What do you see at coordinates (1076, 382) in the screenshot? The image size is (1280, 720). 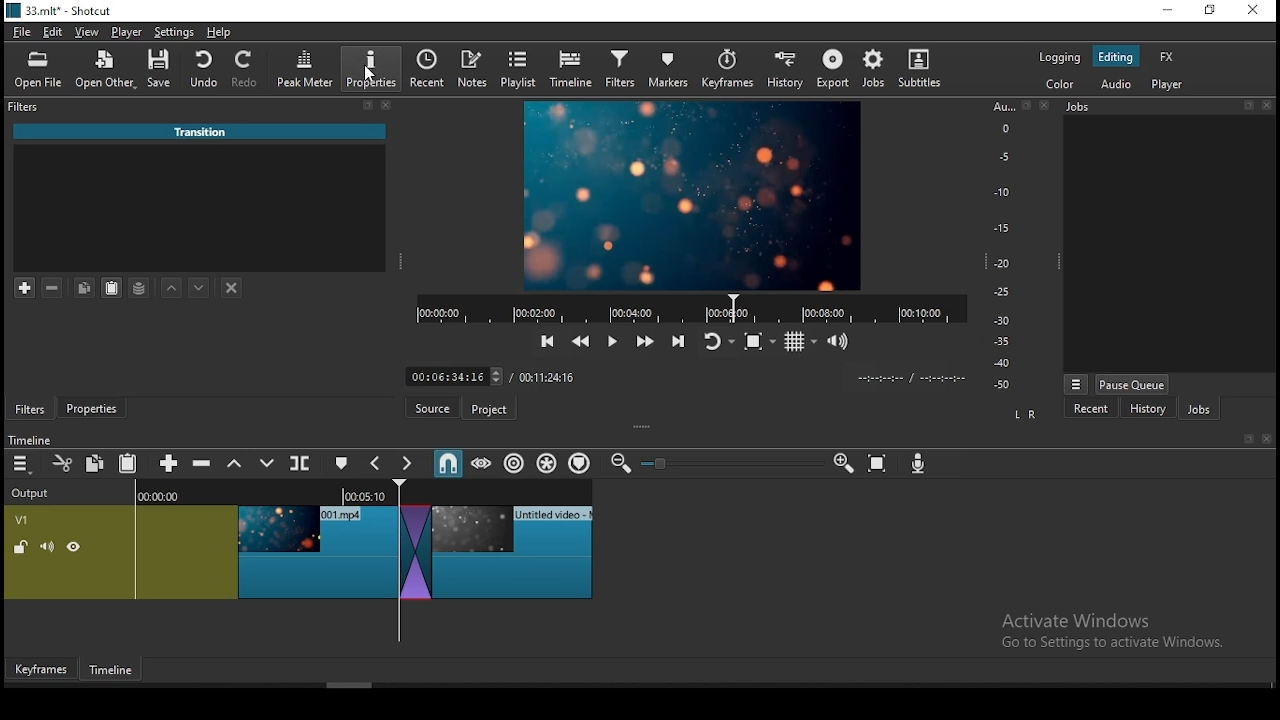 I see `options` at bounding box center [1076, 382].